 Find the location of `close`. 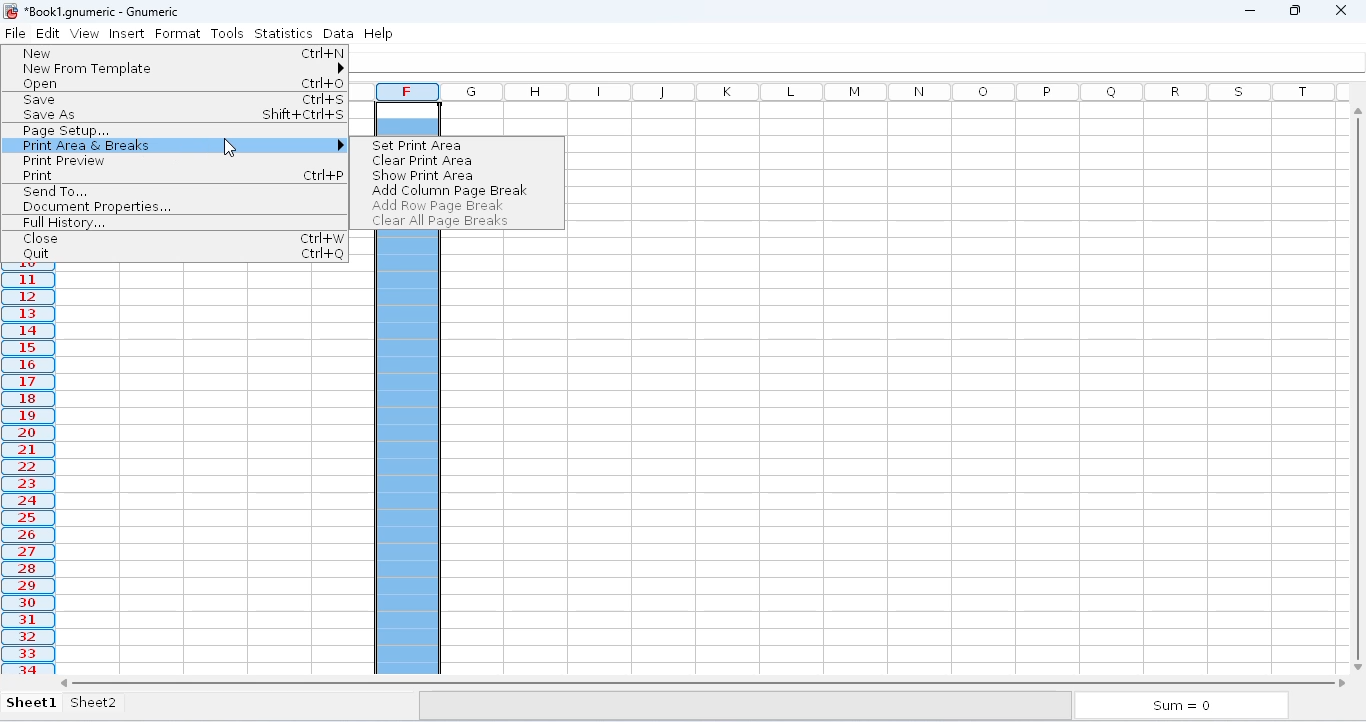

close is located at coordinates (39, 238).